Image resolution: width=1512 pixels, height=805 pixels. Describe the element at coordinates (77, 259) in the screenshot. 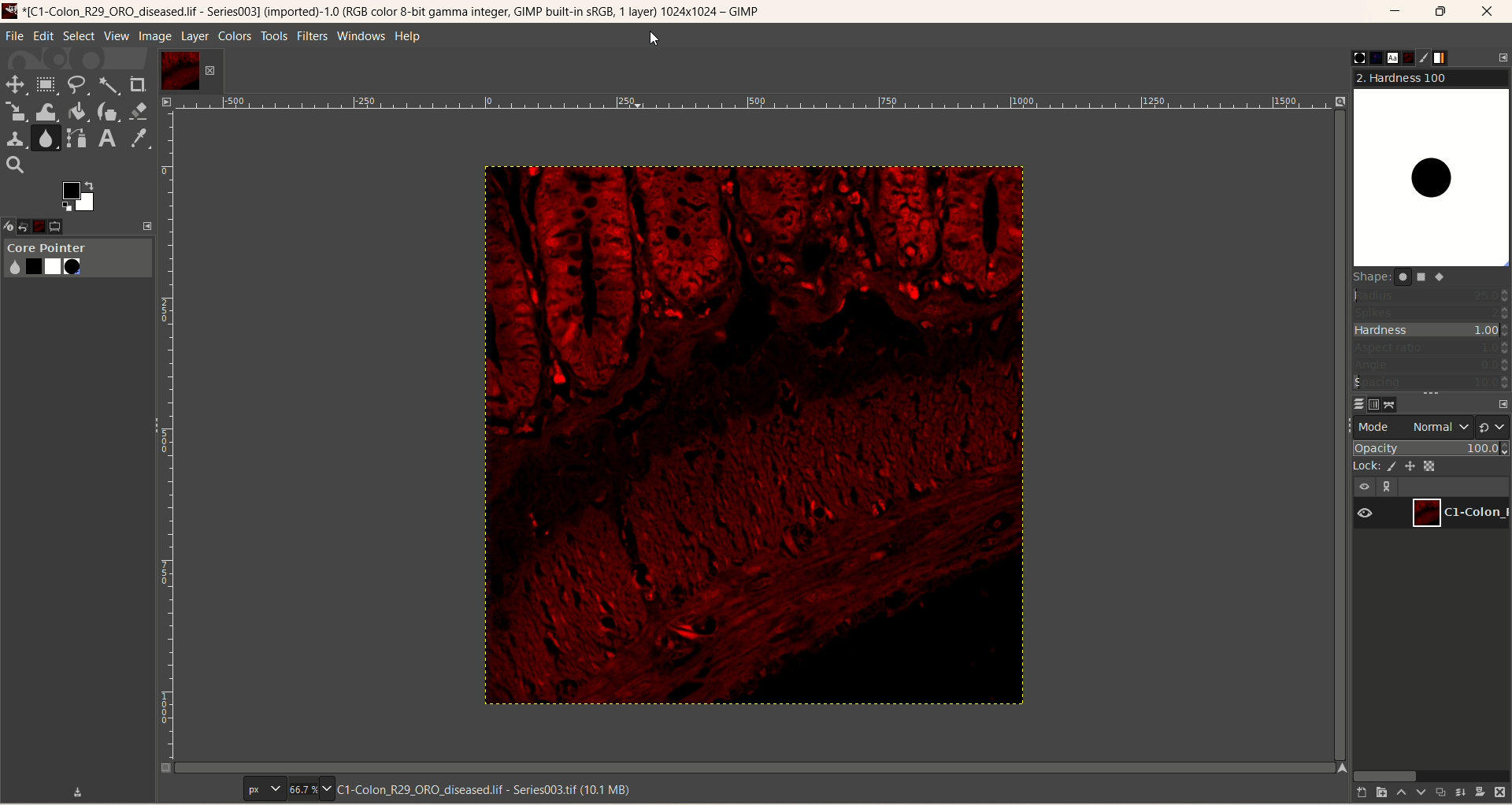

I see `core pointer` at that location.